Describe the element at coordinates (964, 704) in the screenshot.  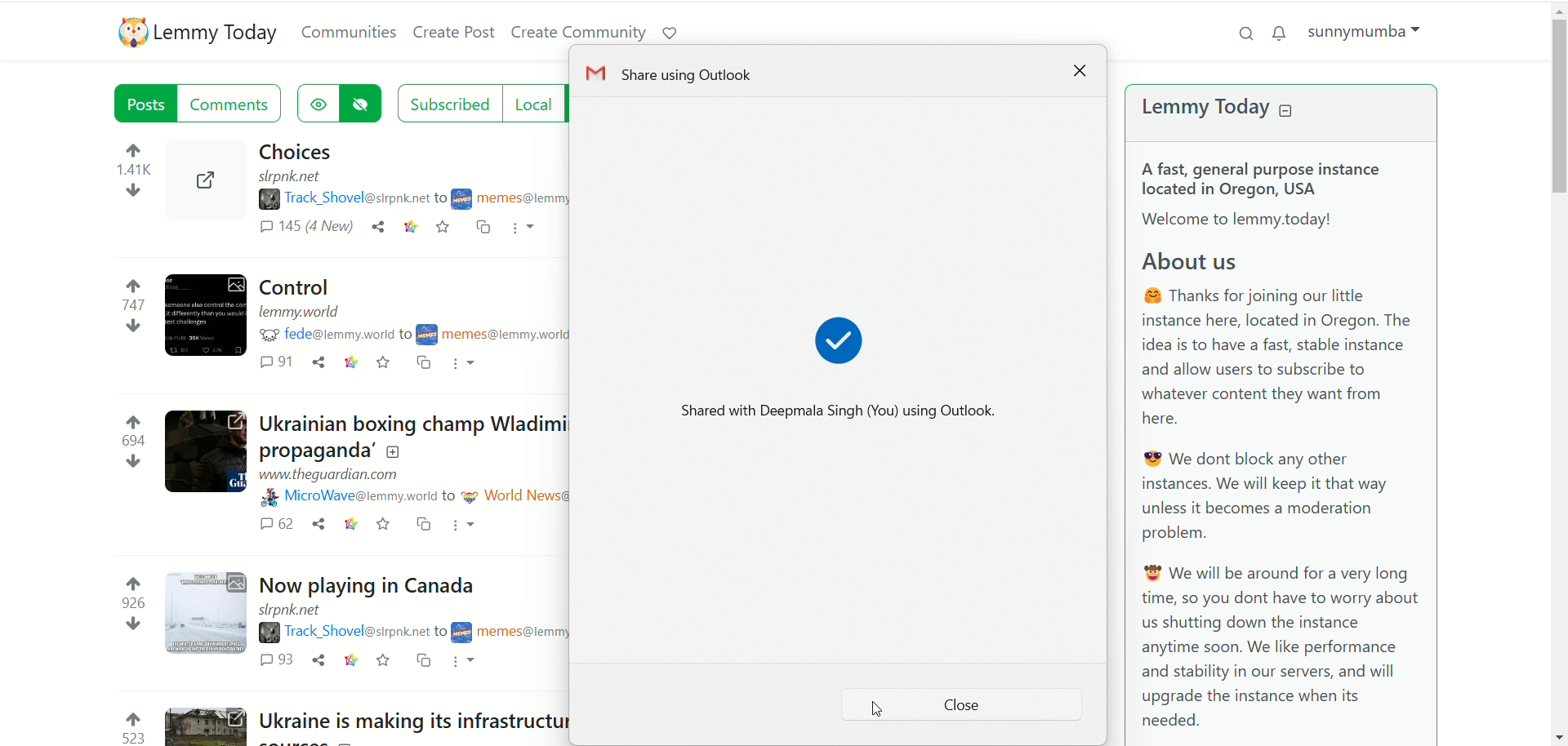
I see `close` at that location.